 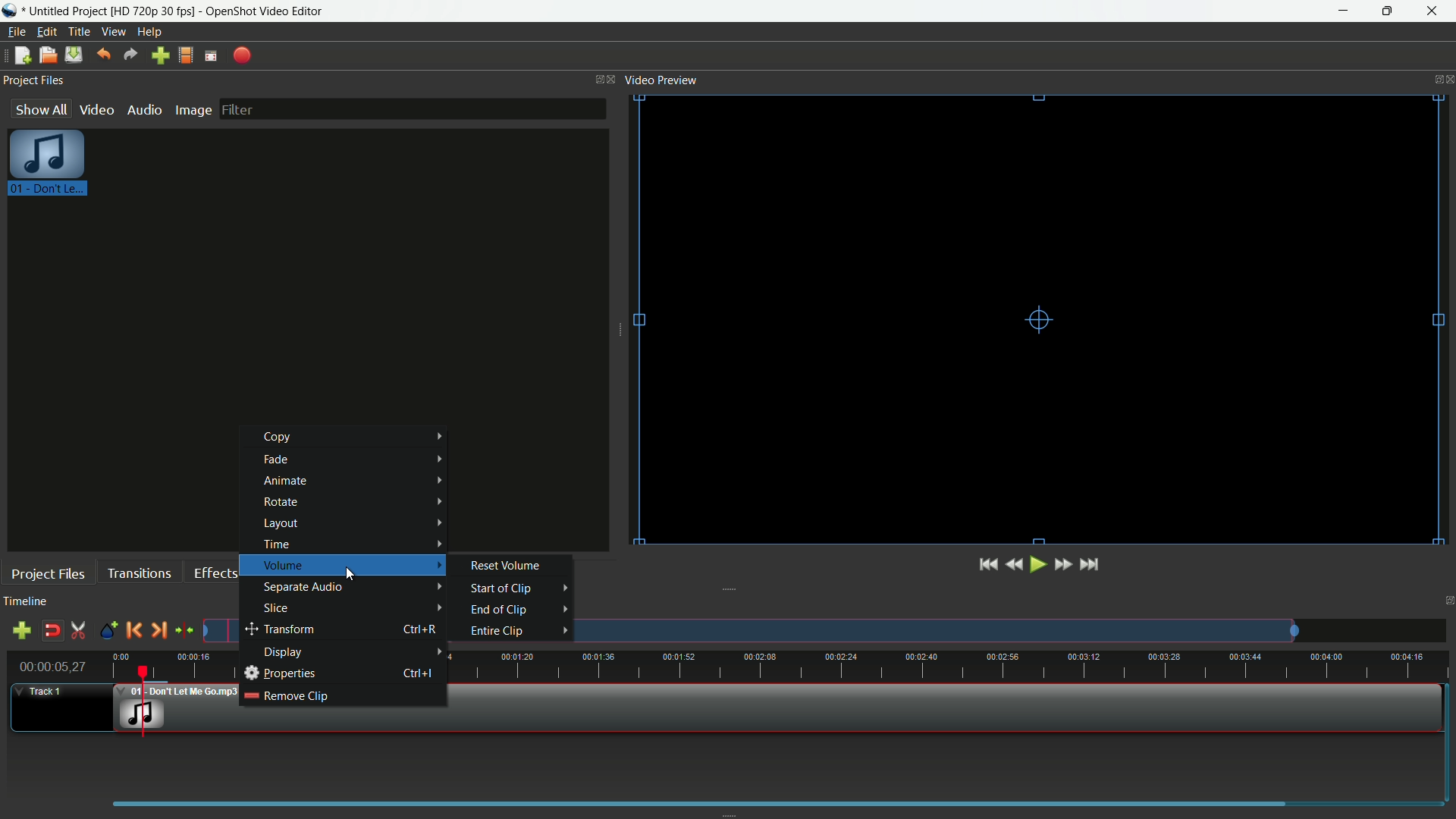 I want to click on track preview, so click(x=941, y=629).